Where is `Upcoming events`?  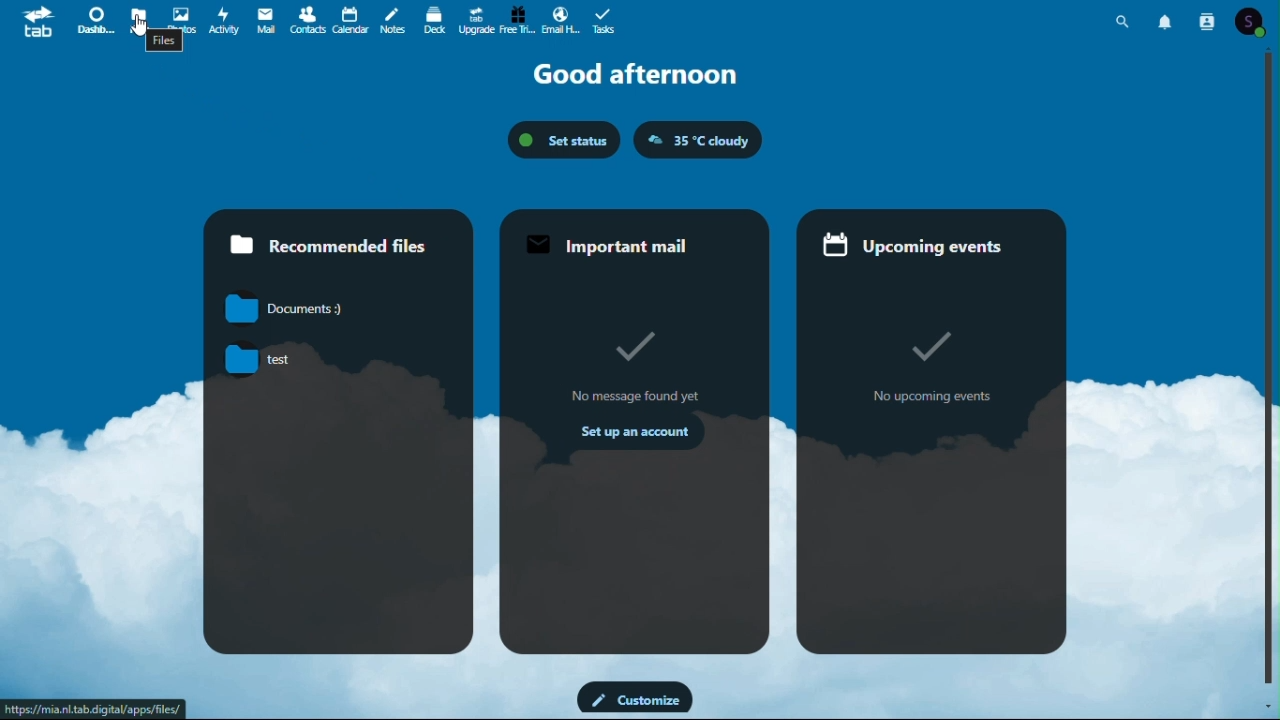 Upcoming events is located at coordinates (930, 238).